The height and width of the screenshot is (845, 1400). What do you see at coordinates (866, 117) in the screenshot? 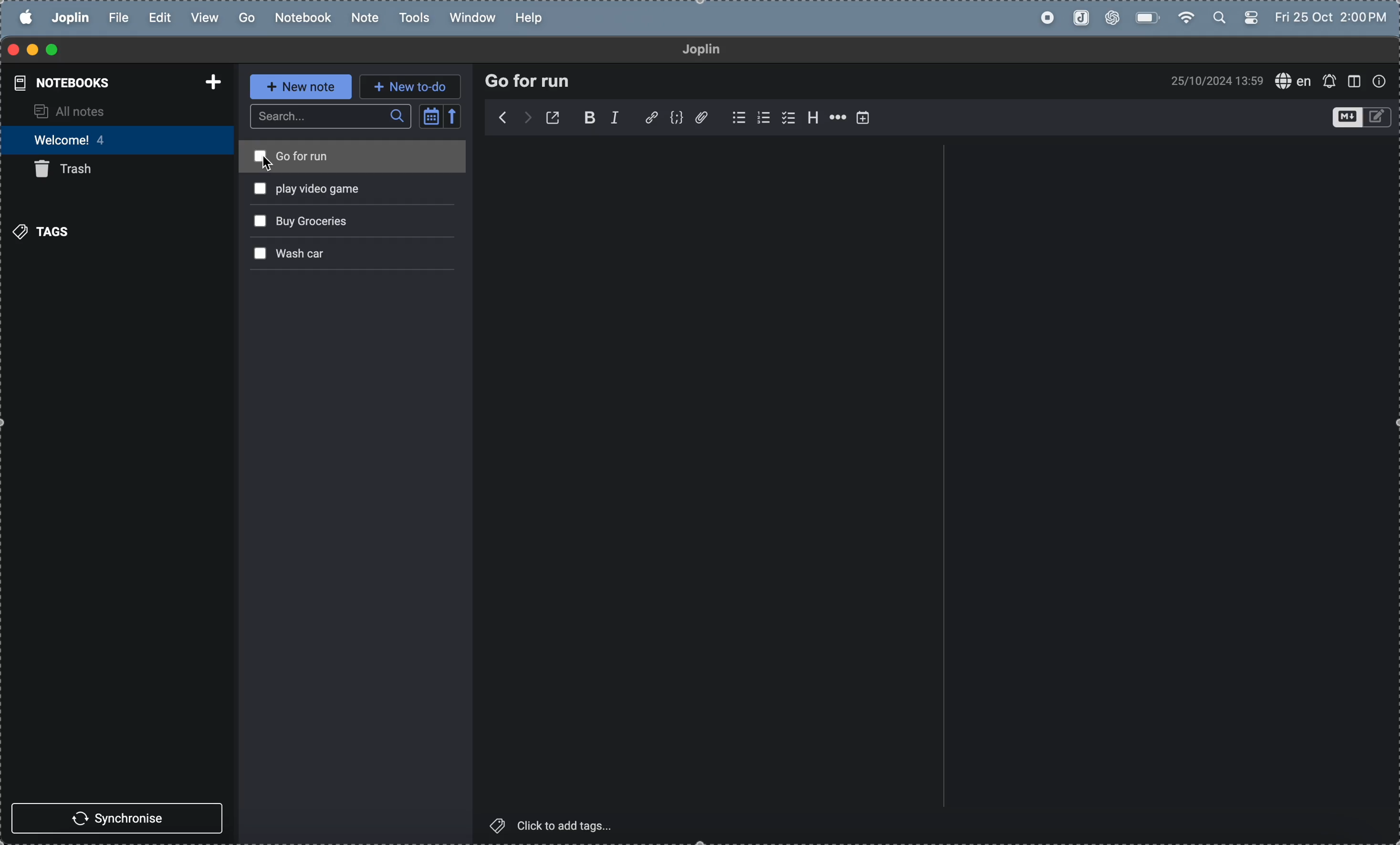
I see `add timmings` at bounding box center [866, 117].